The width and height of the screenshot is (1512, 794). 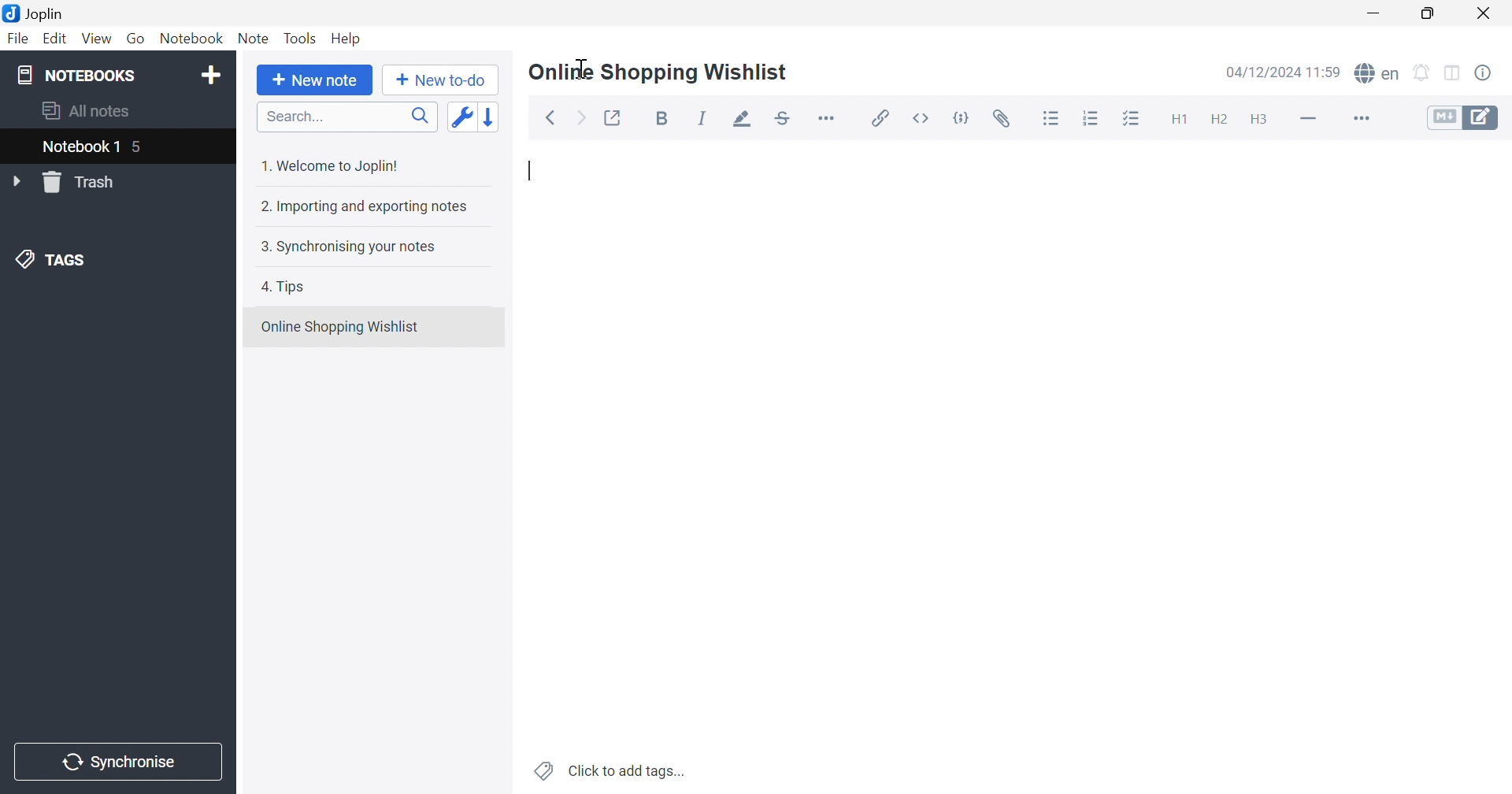 What do you see at coordinates (287, 287) in the screenshot?
I see `4. Tips` at bounding box center [287, 287].